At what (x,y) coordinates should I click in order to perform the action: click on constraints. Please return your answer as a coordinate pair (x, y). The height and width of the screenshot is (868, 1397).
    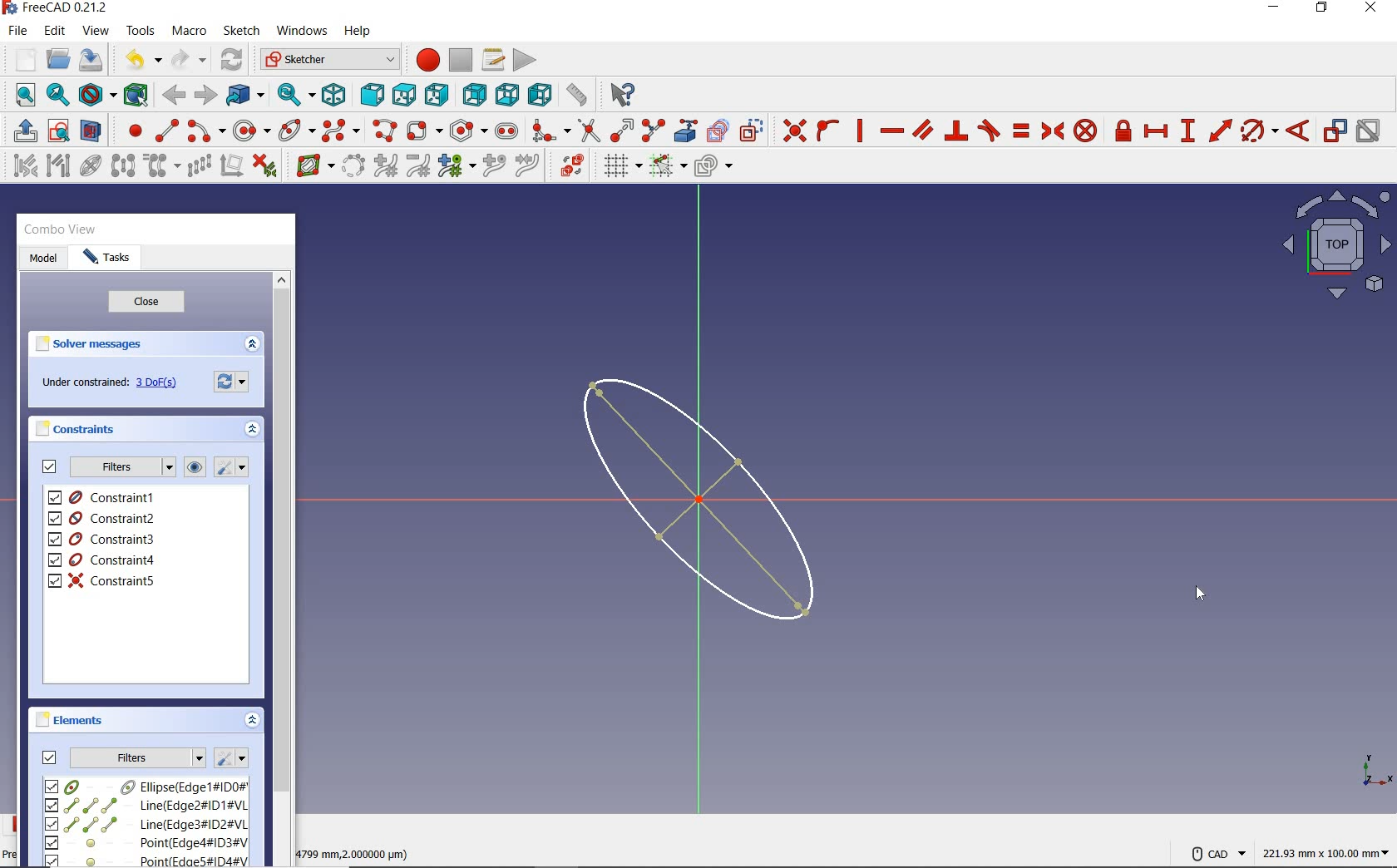
    Looking at the image, I should click on (80, 428).